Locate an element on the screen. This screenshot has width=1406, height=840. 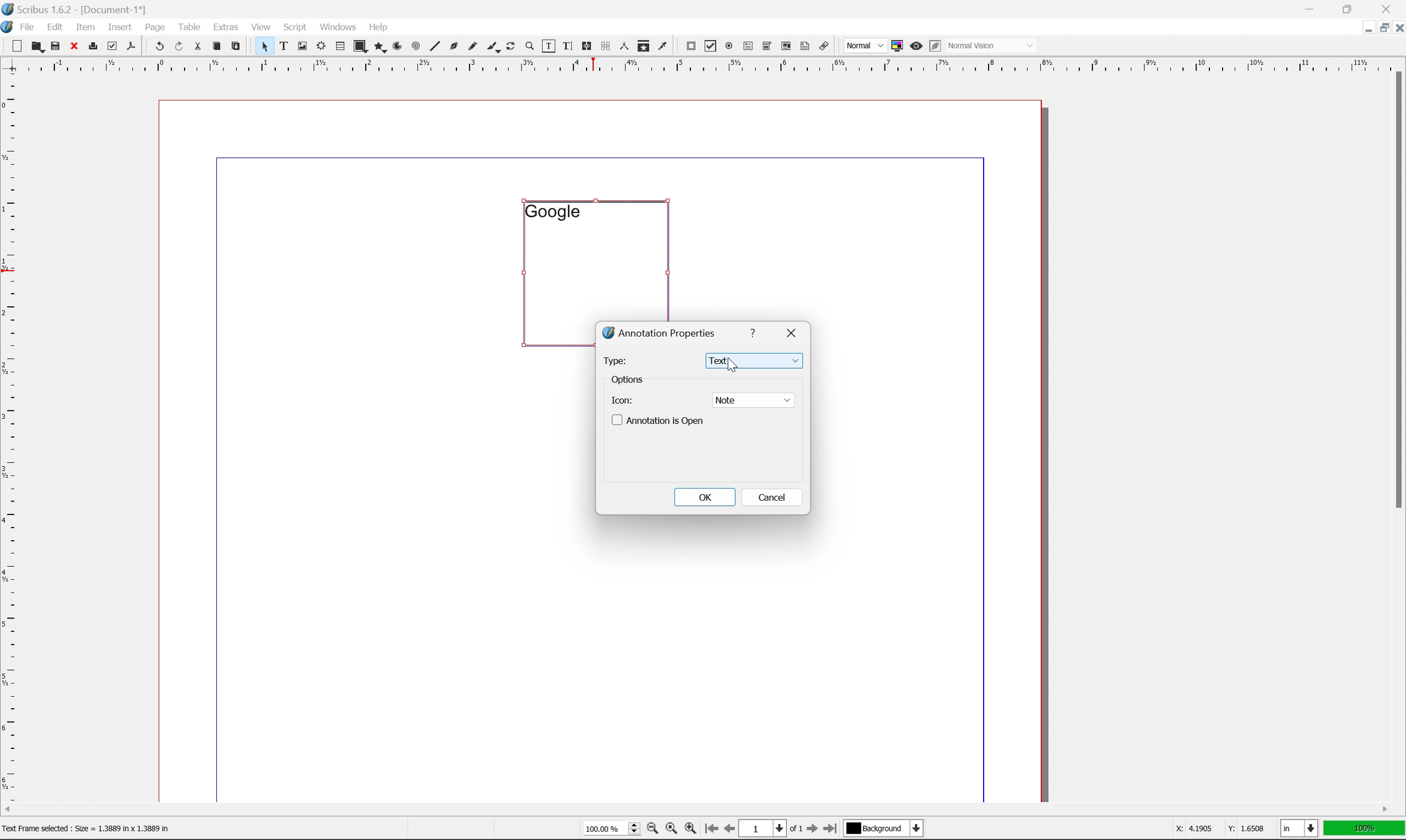
select current zoom level is located at coordinates (612, 828).